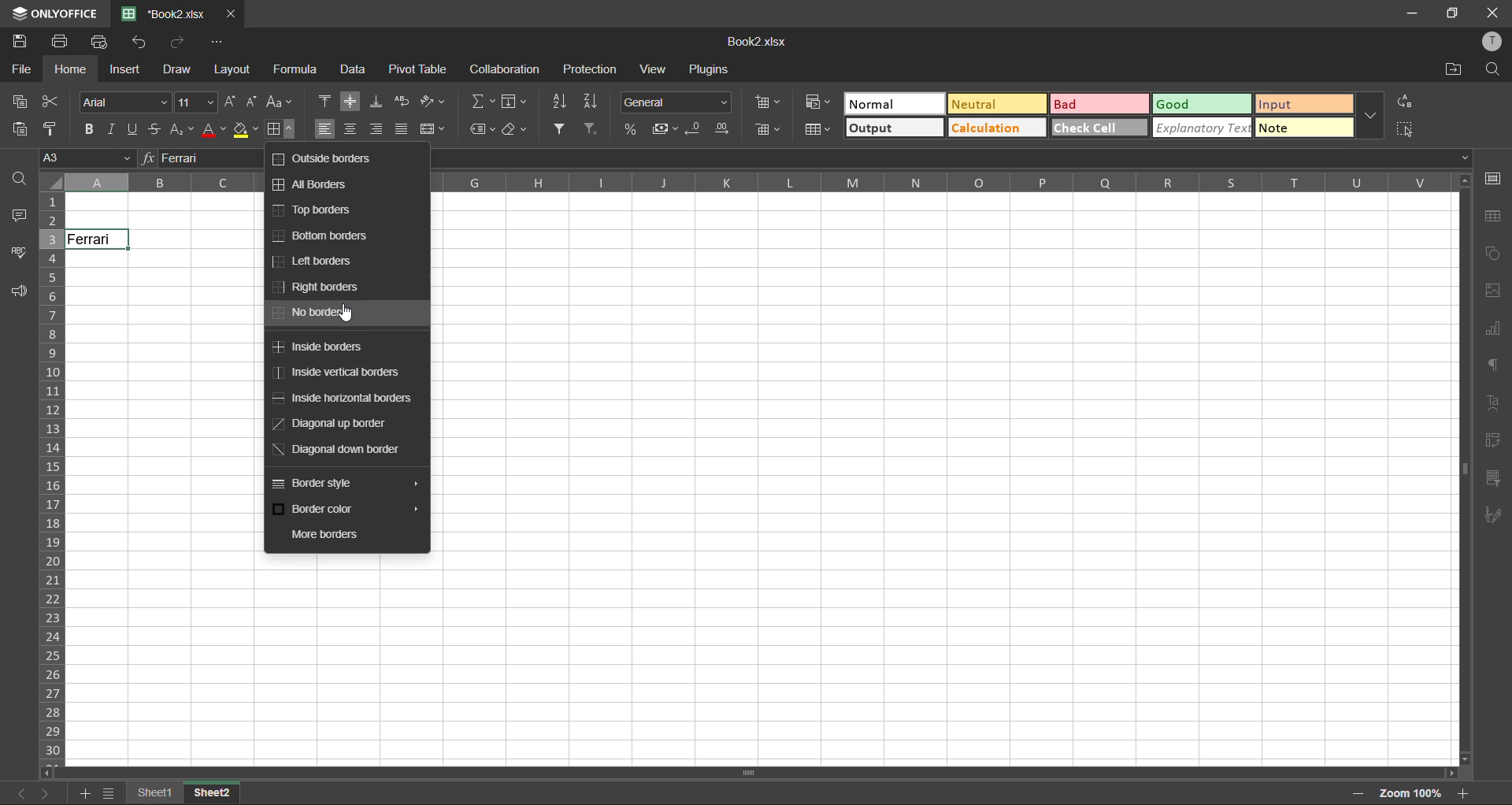  What do you see at coordinates (19, 129) in the screenshot?
I see `paste` at bounding box center [19, 129].